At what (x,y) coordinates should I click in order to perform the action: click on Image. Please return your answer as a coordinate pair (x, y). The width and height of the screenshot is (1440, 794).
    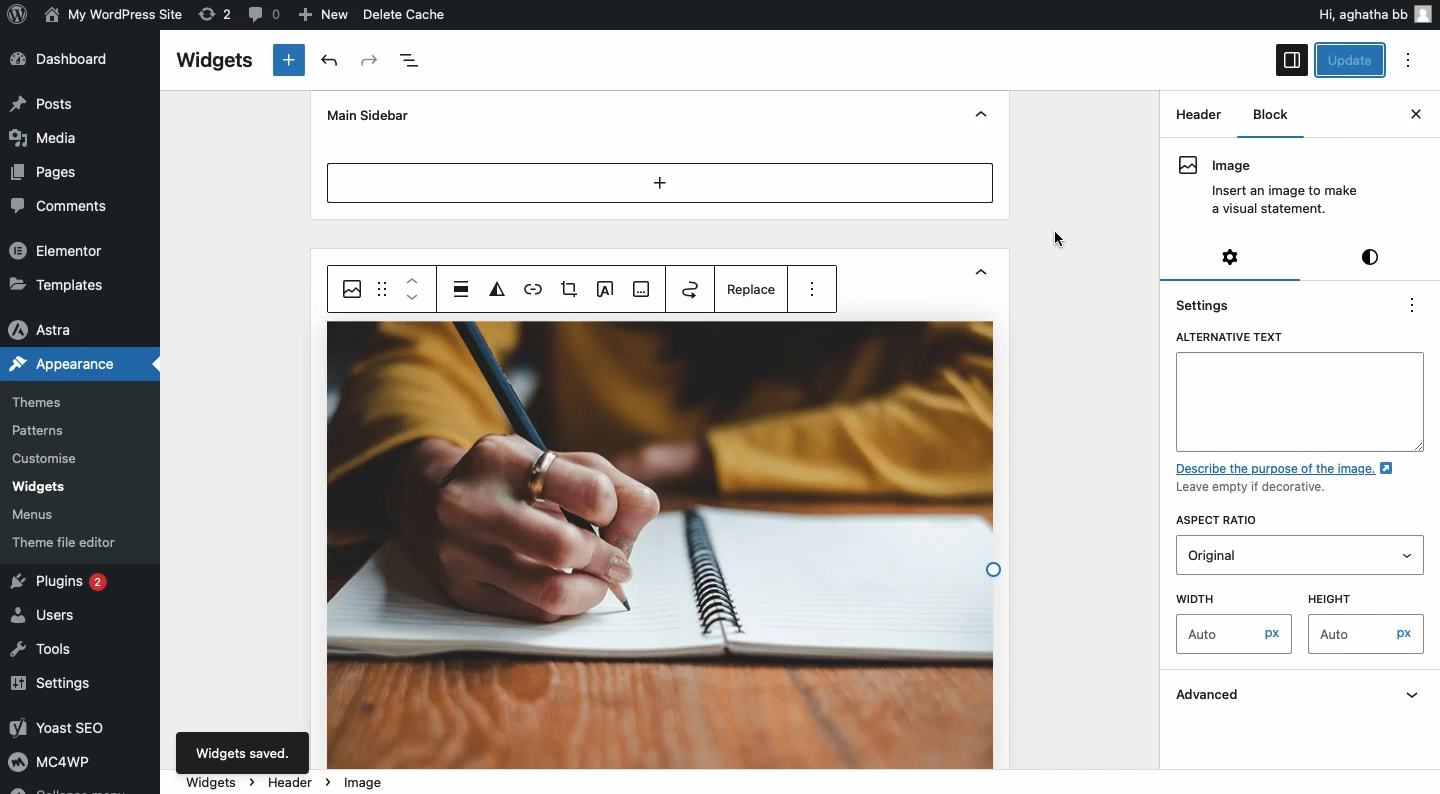
    Looking at the image, I should click on (365, 783).